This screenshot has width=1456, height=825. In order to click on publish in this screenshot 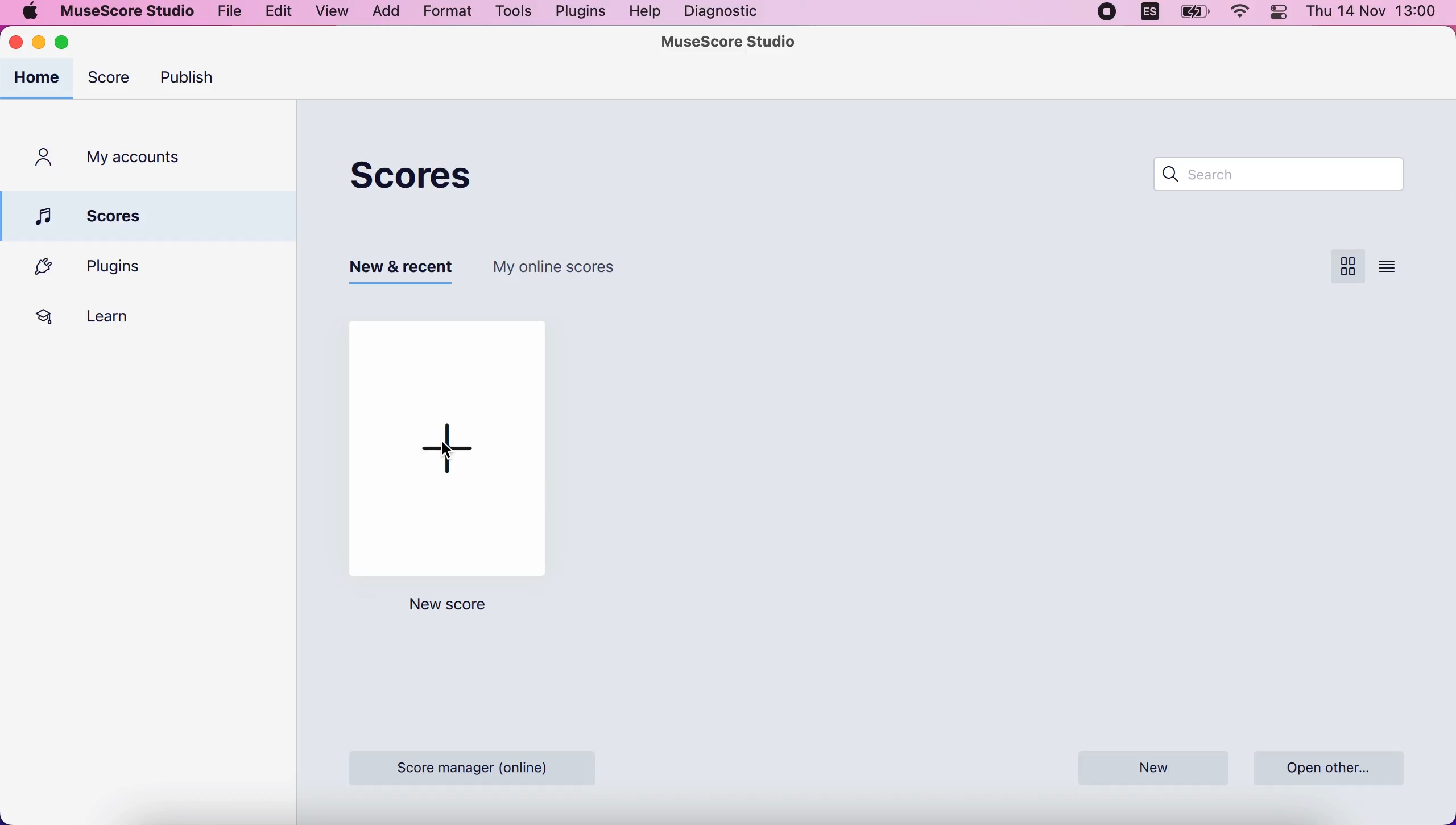, I will do `click(194, 80)`.